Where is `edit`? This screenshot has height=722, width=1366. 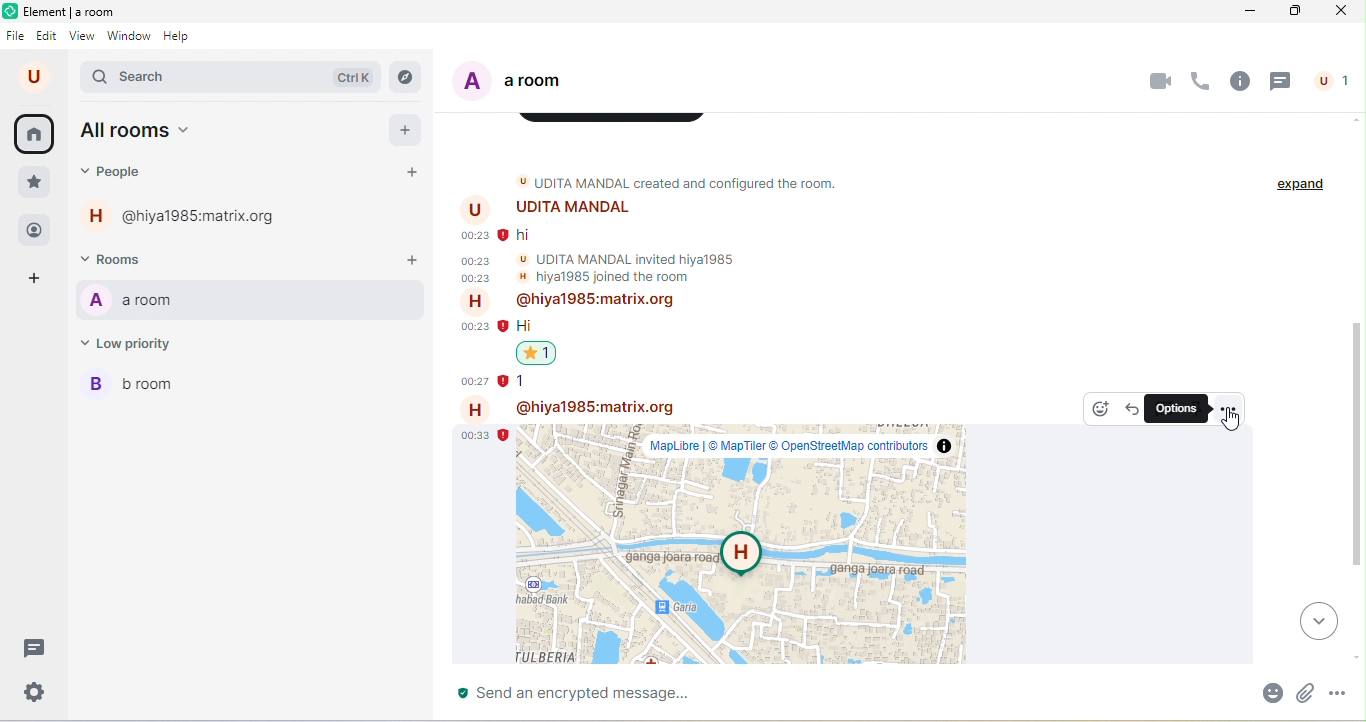
edit is located at coordinates (48, 36).